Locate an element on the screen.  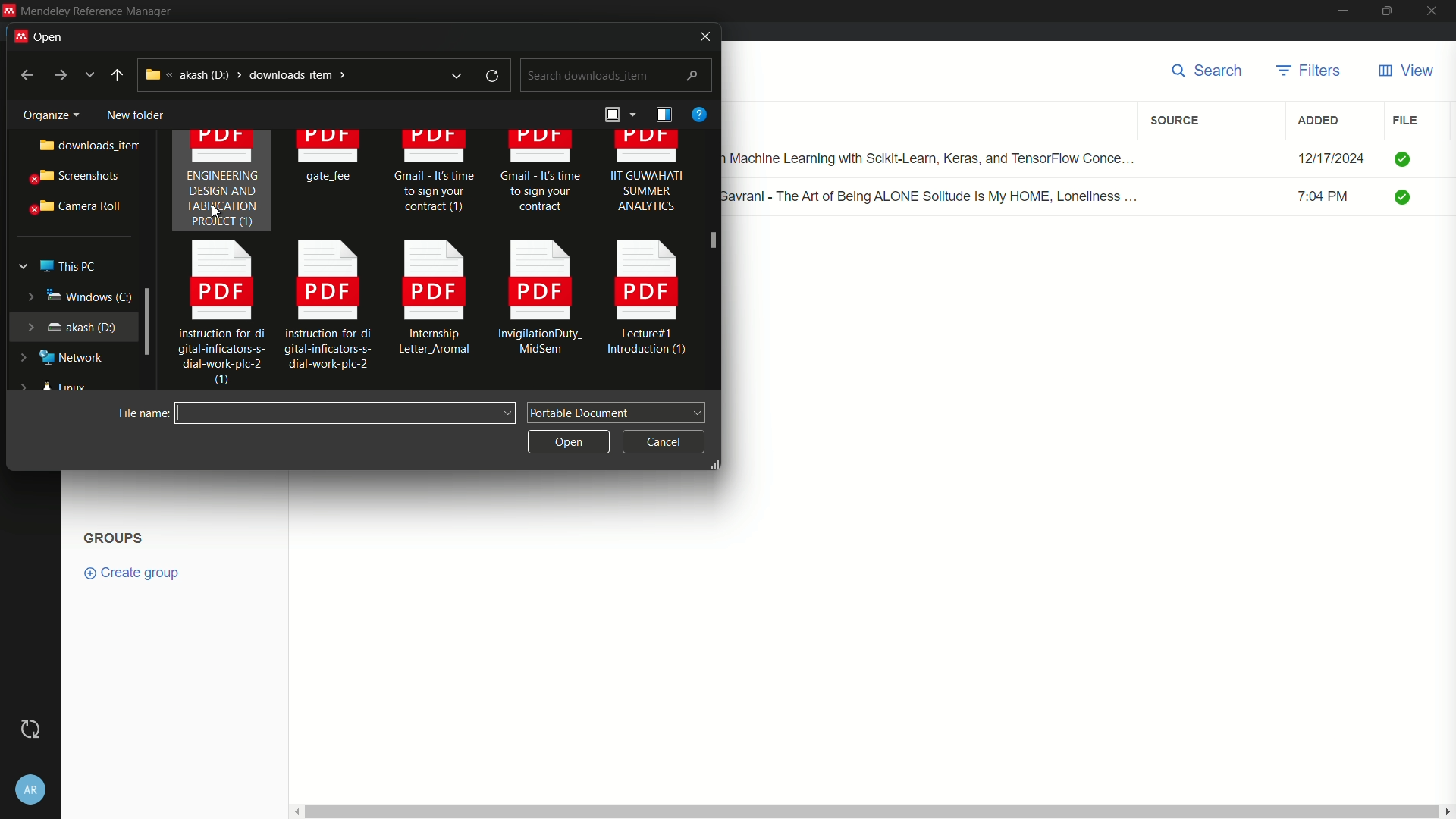
Renuka Gavrani - The Art of Being ALONE Solitude Is My HOME, Loneliness ... is located at coordinates (937, 195).